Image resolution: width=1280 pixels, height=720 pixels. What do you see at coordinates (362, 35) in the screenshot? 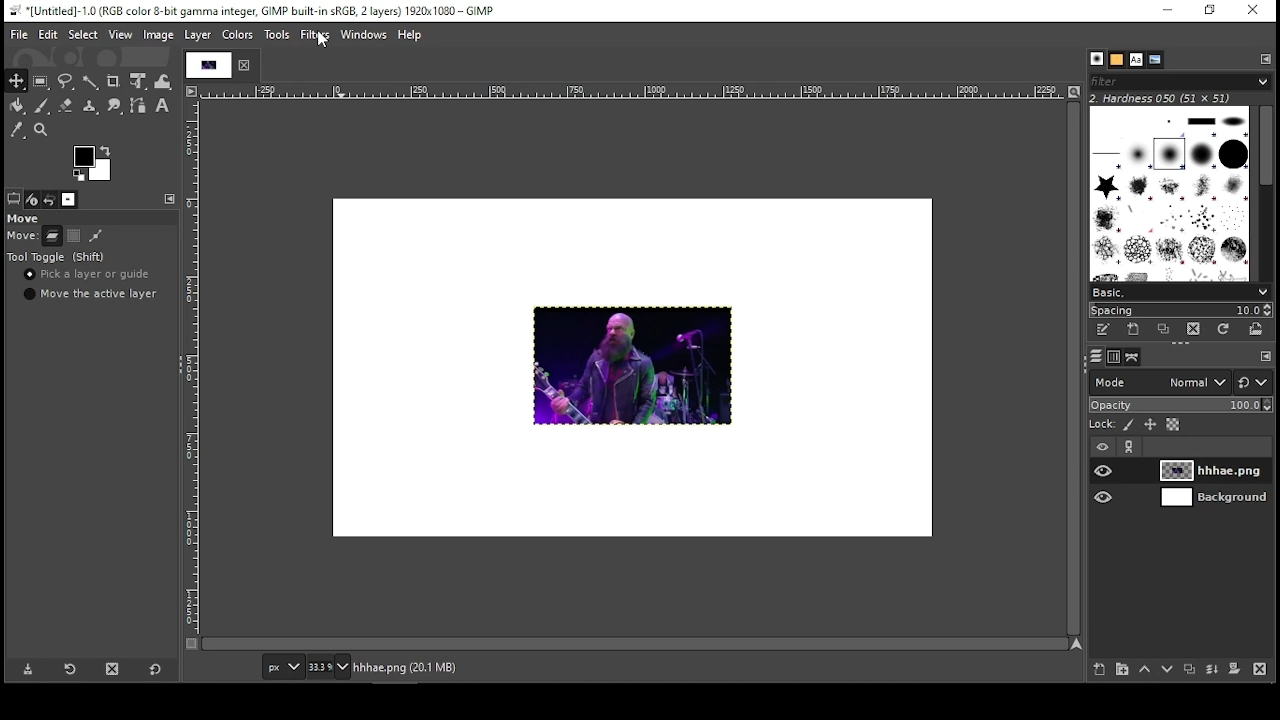
I see `windows` at bounding box center [362, 35].